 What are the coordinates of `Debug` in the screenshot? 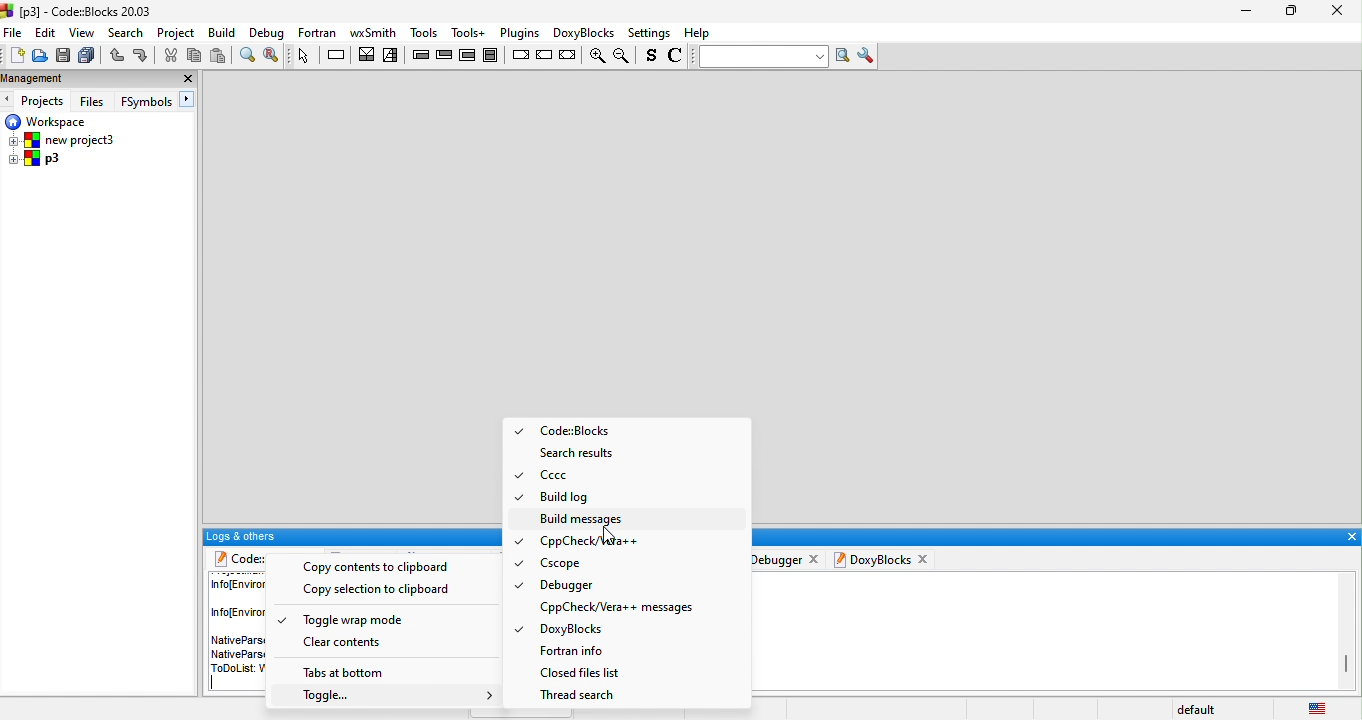 It's located at (267, 33).